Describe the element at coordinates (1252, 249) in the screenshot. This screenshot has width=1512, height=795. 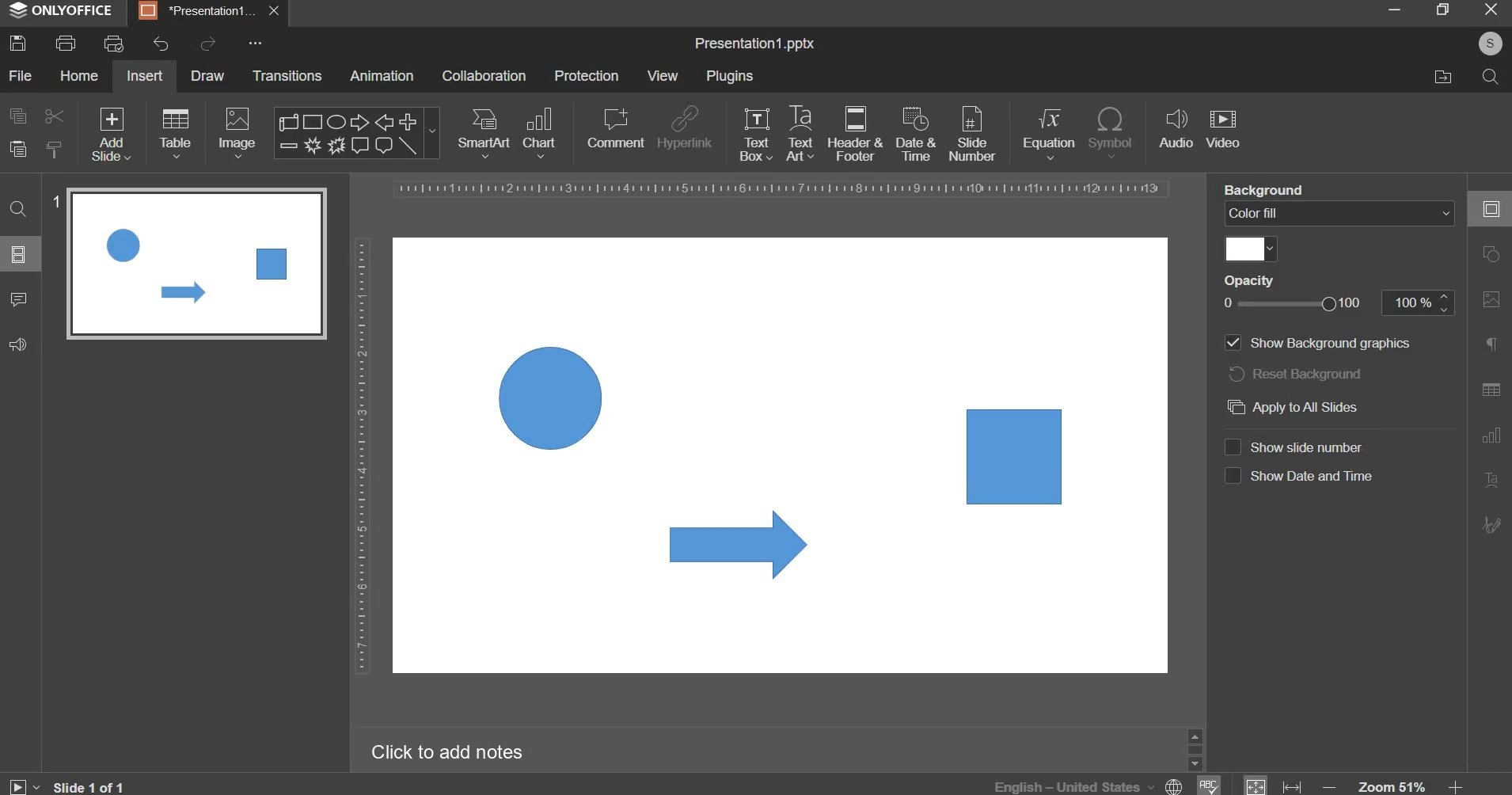
I see `color fill` at that location.